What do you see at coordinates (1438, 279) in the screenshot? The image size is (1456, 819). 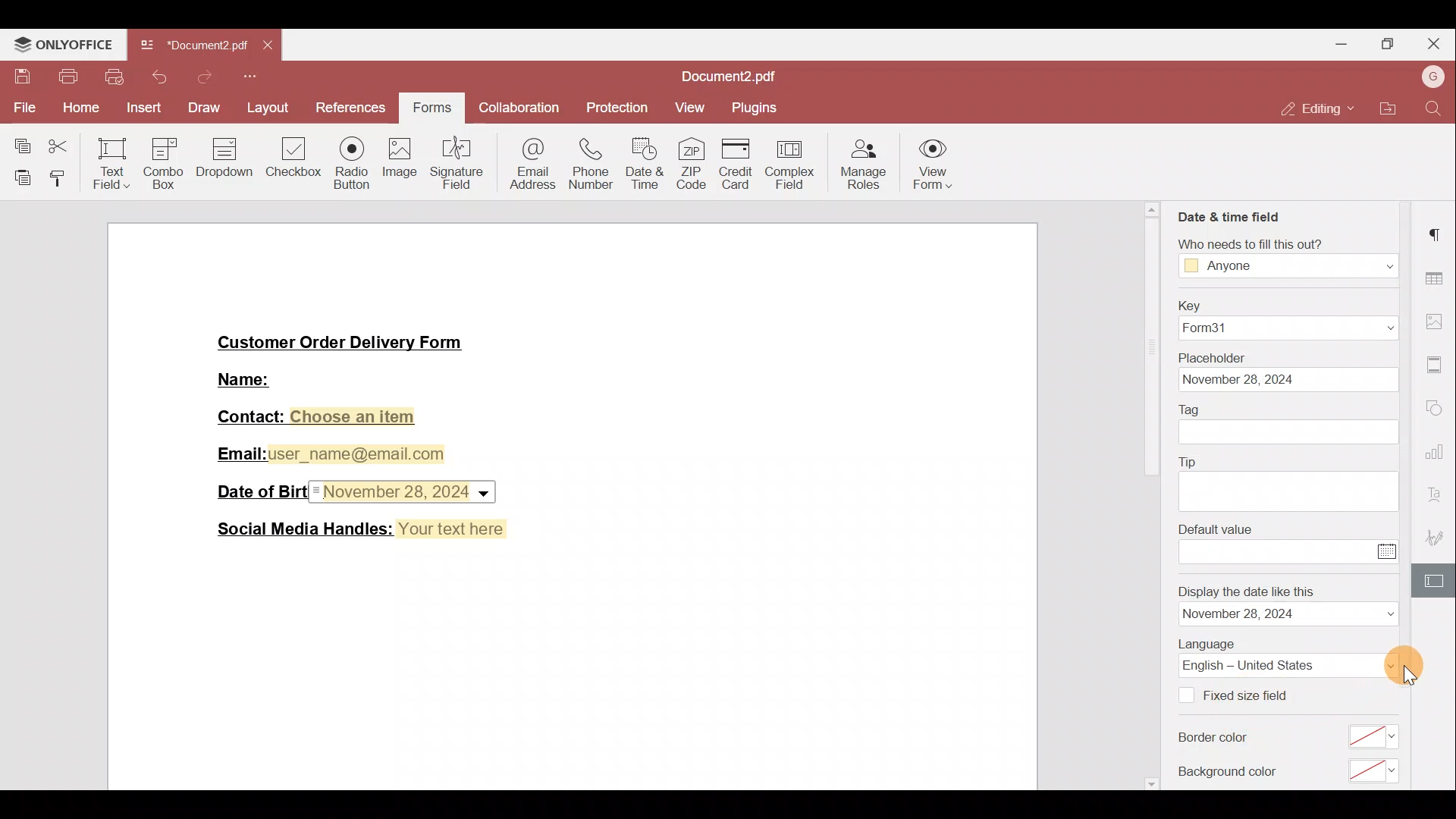 I see `Table settings` at bounding box center [1438, 279].